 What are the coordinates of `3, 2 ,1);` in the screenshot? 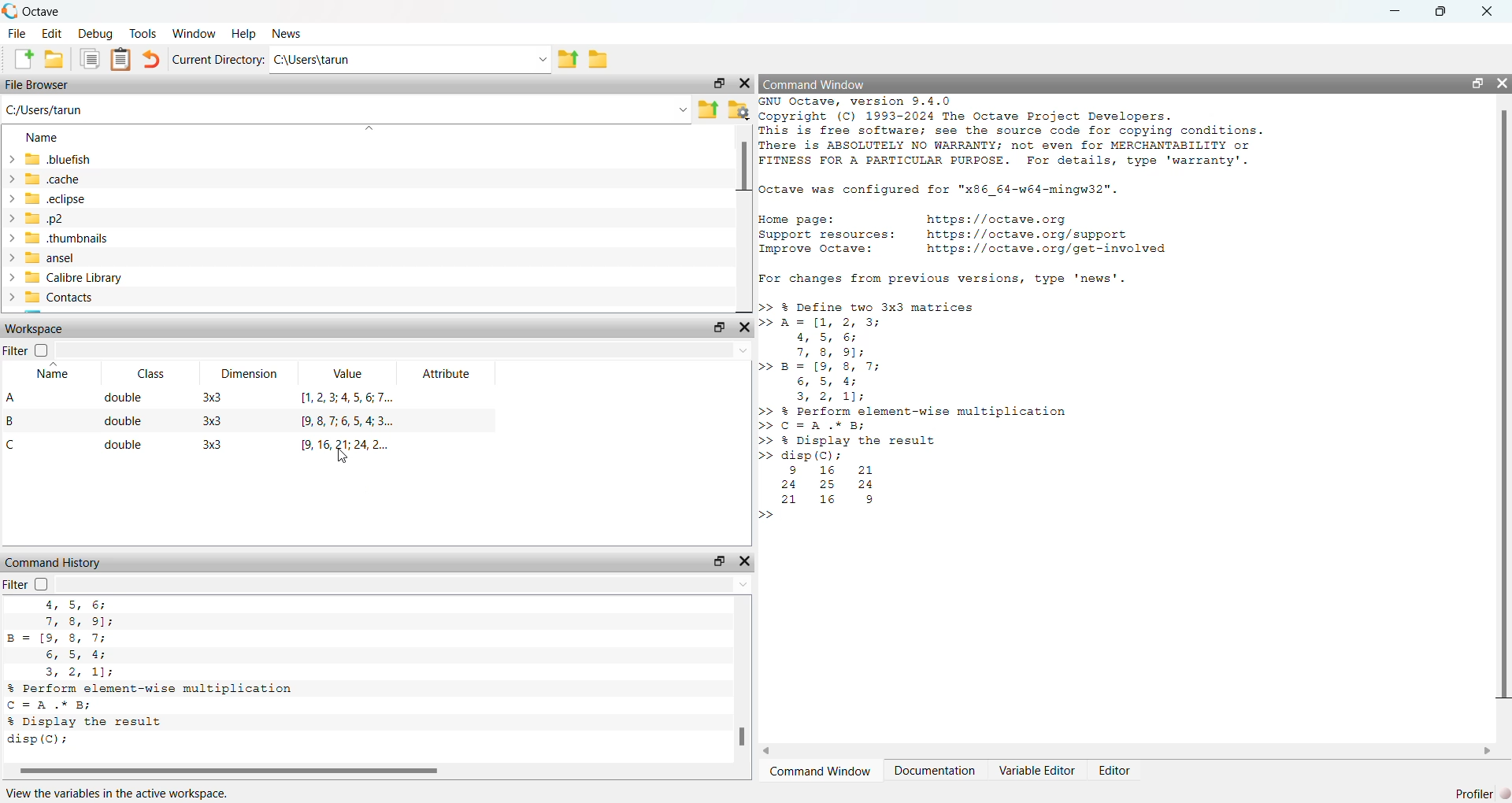 It's located at (83, 672).